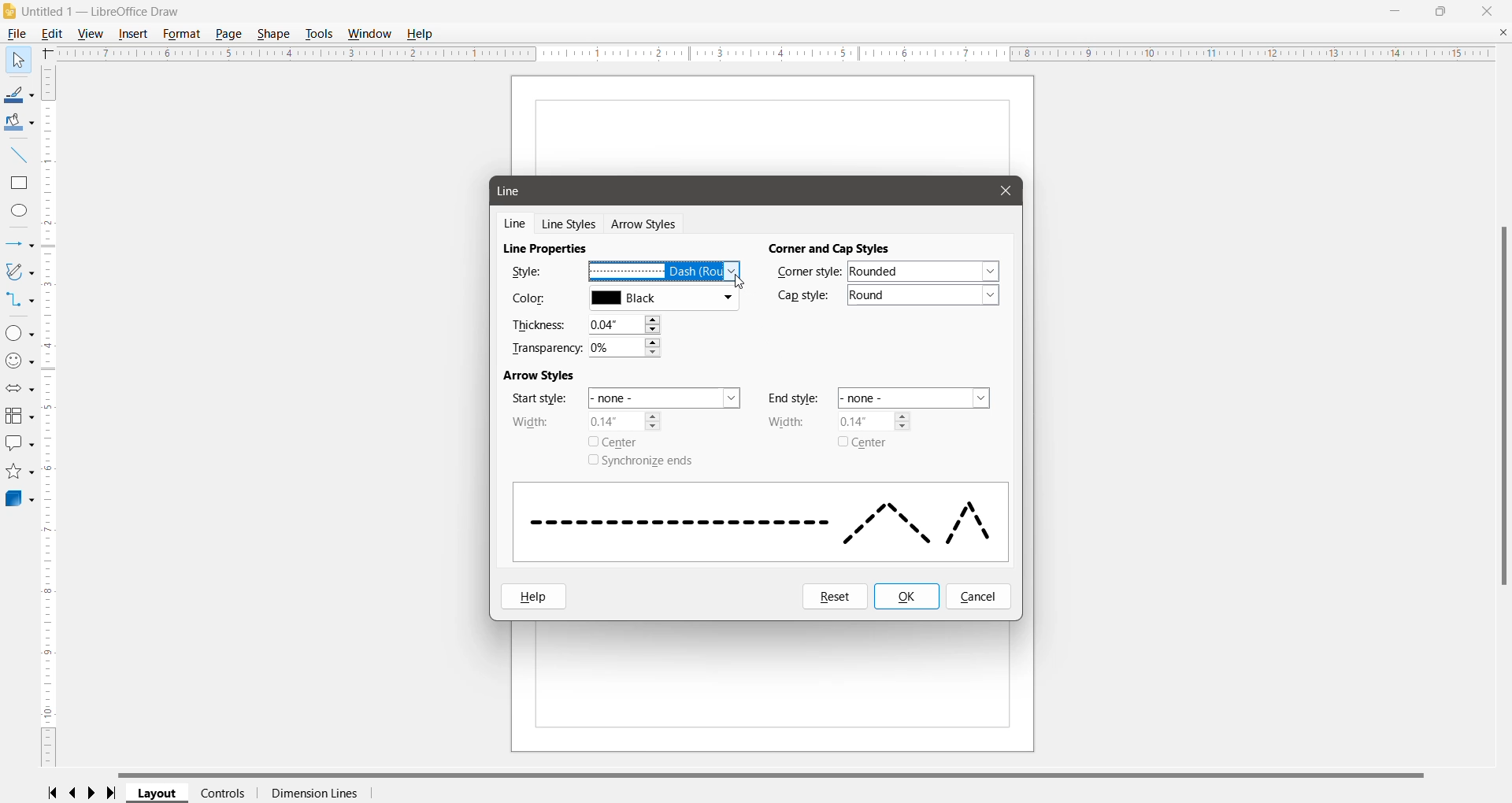 This screenshot has width=1512, height=803. What do you see at coordinates (547, 348) in the screenshot?
I see `Transparency` at bounding box center [547, 348].